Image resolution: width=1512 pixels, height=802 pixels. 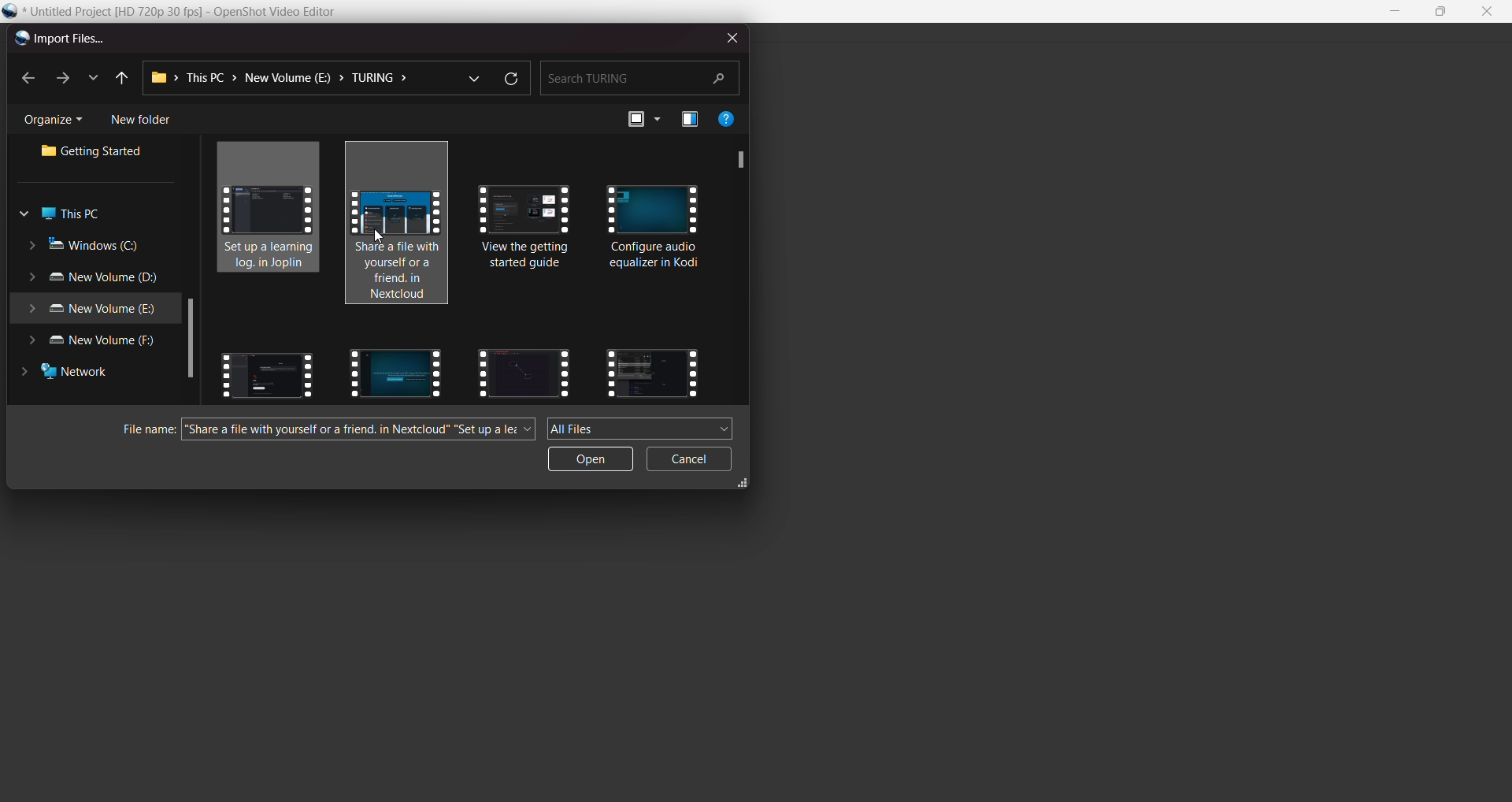 What do you see at coordinates (727, 118) in the screenshot?
I see `help` at bounding box center [727, 118].